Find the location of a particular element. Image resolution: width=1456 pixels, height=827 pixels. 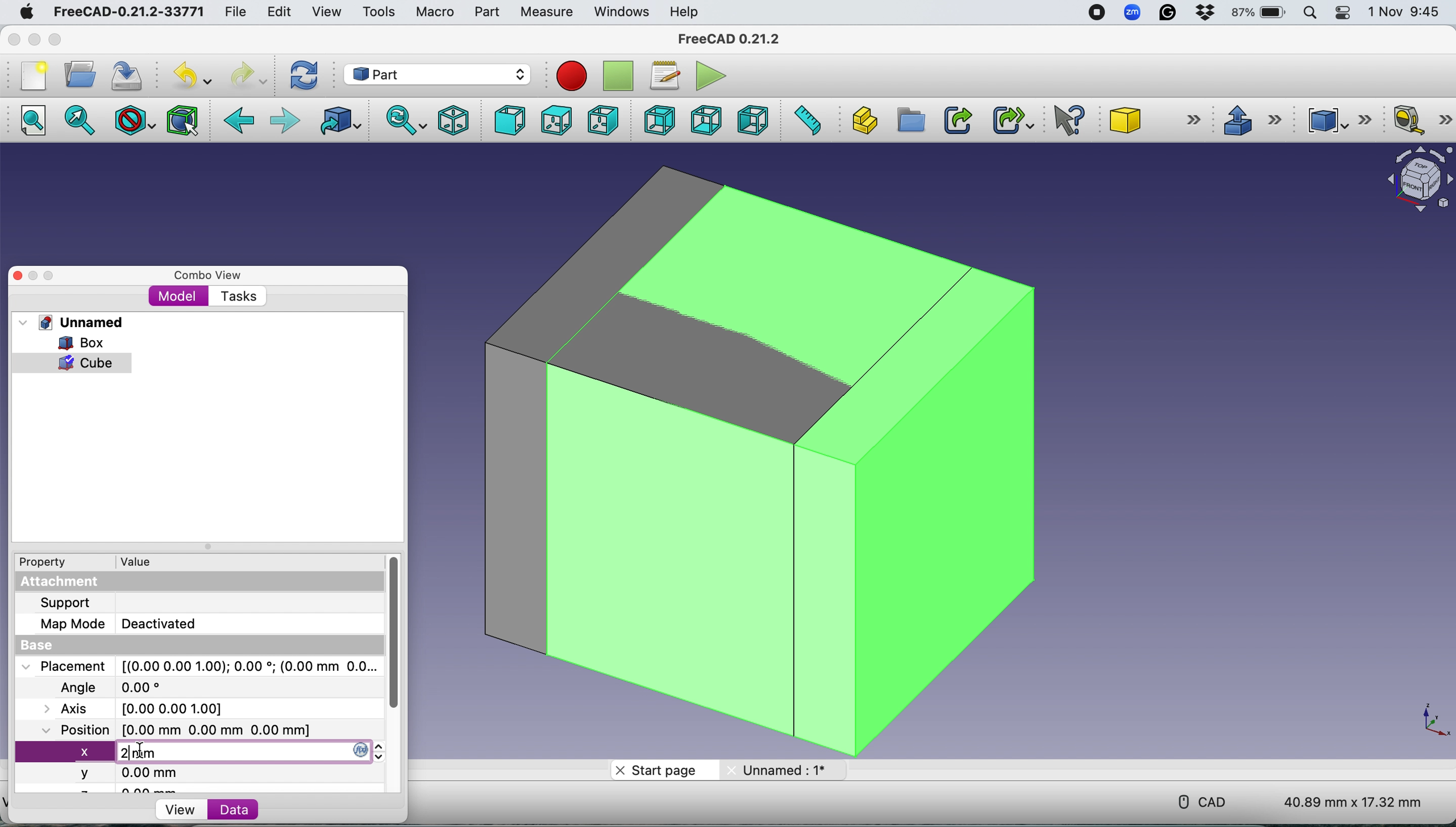

Map Mode Deactivated is located at coordinates (118, 624).